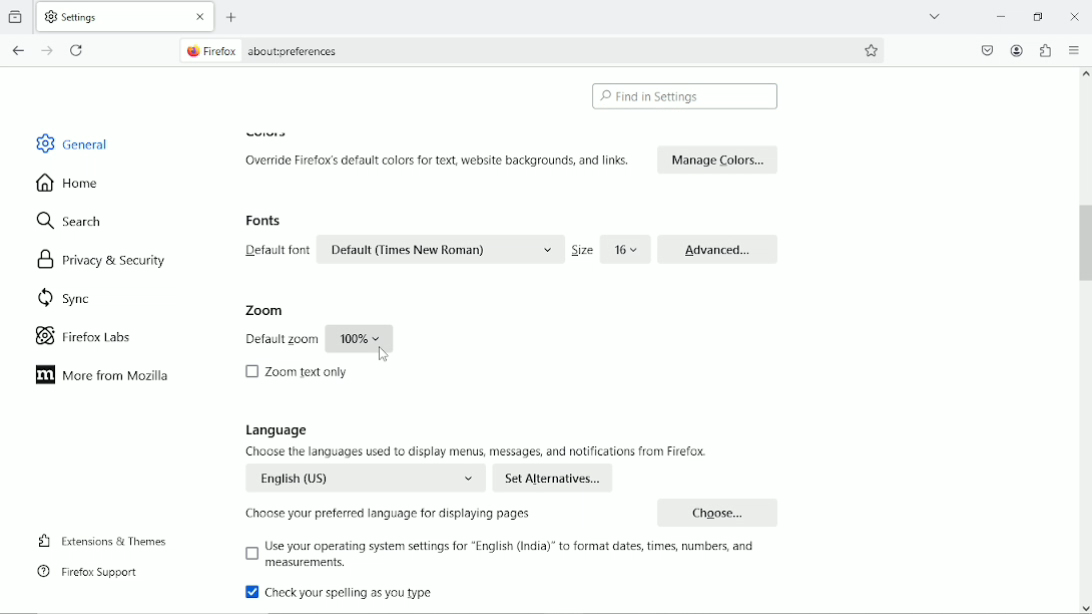 The height and width of the screenshot is (614, 1092). Describe the element at coordinates (382, 354) in the screenshot. I see `cursor` at that location.